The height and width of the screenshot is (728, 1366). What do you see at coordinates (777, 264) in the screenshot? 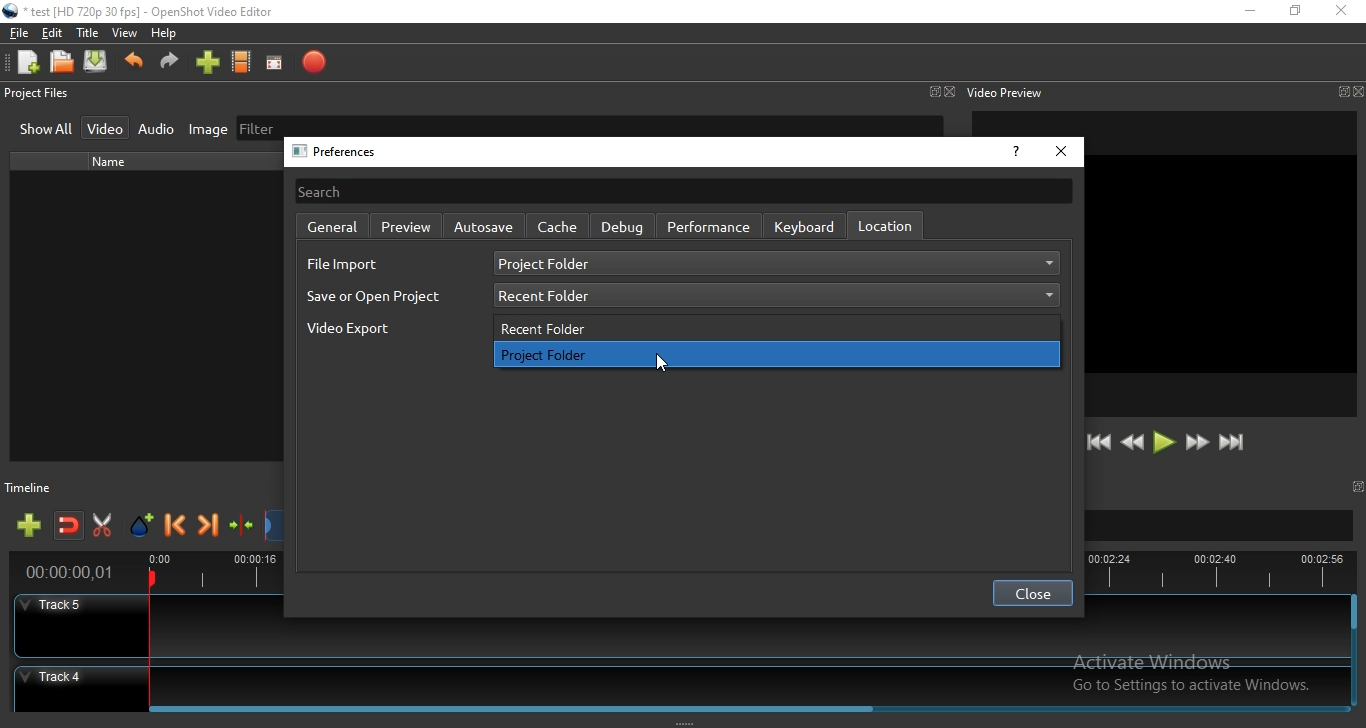
I see `project folder` at bounding box center [777, 264].